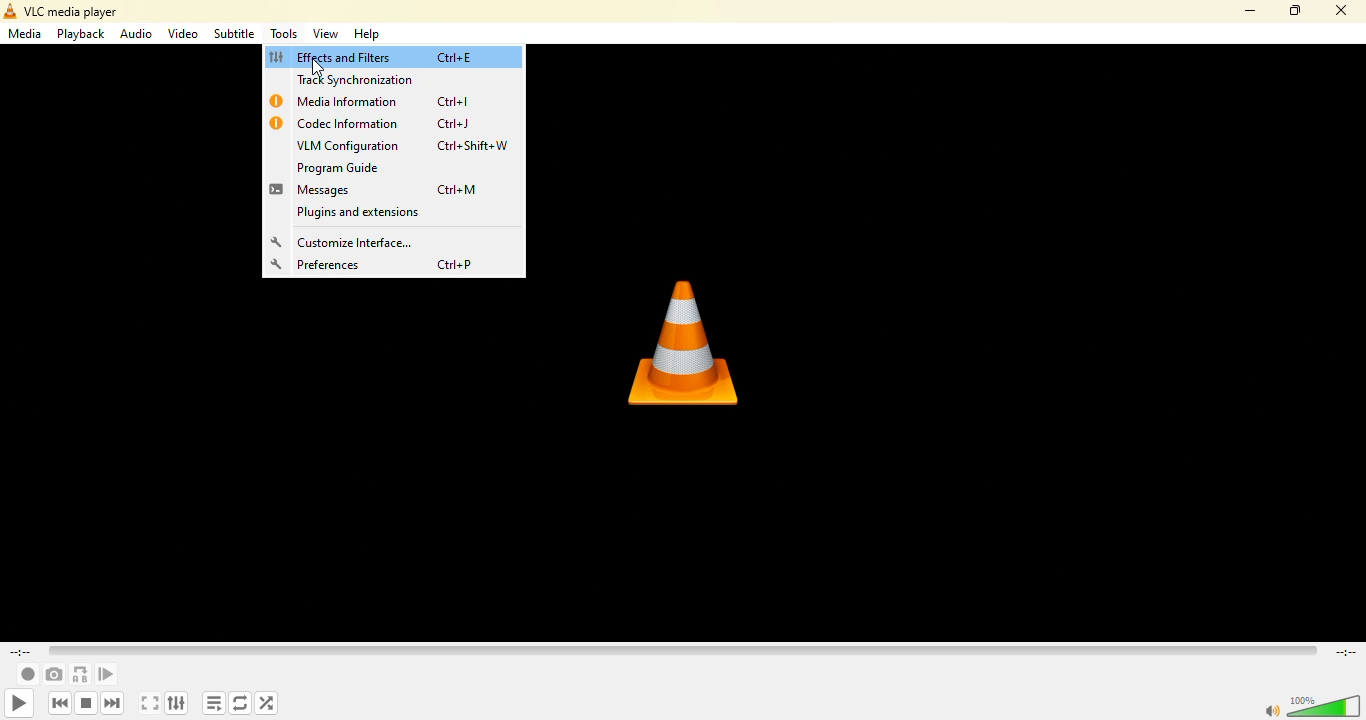 This screenshot has width=1366, height=720. Describe the element at coordinates (462, 58) in the screenshot. I see `ctrl+e` at that location.